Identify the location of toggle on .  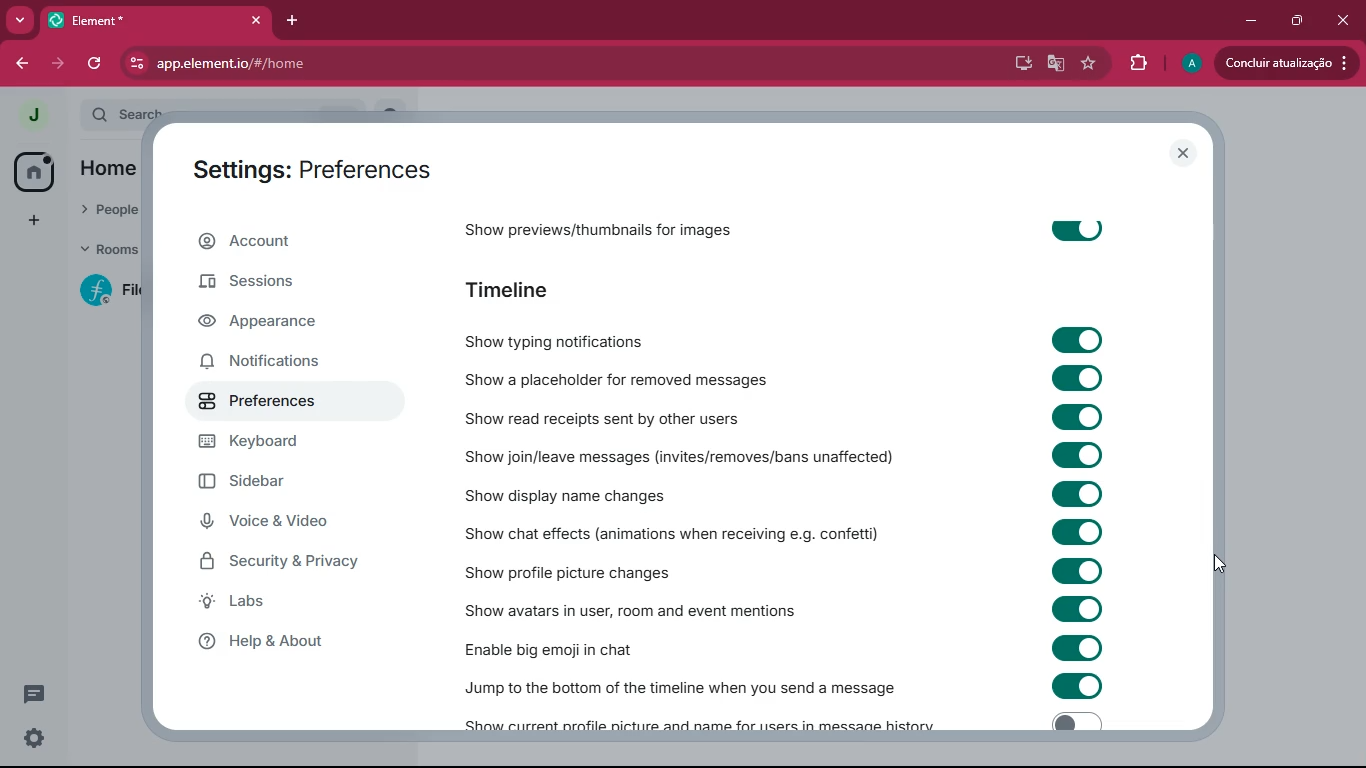
(1083, 688).